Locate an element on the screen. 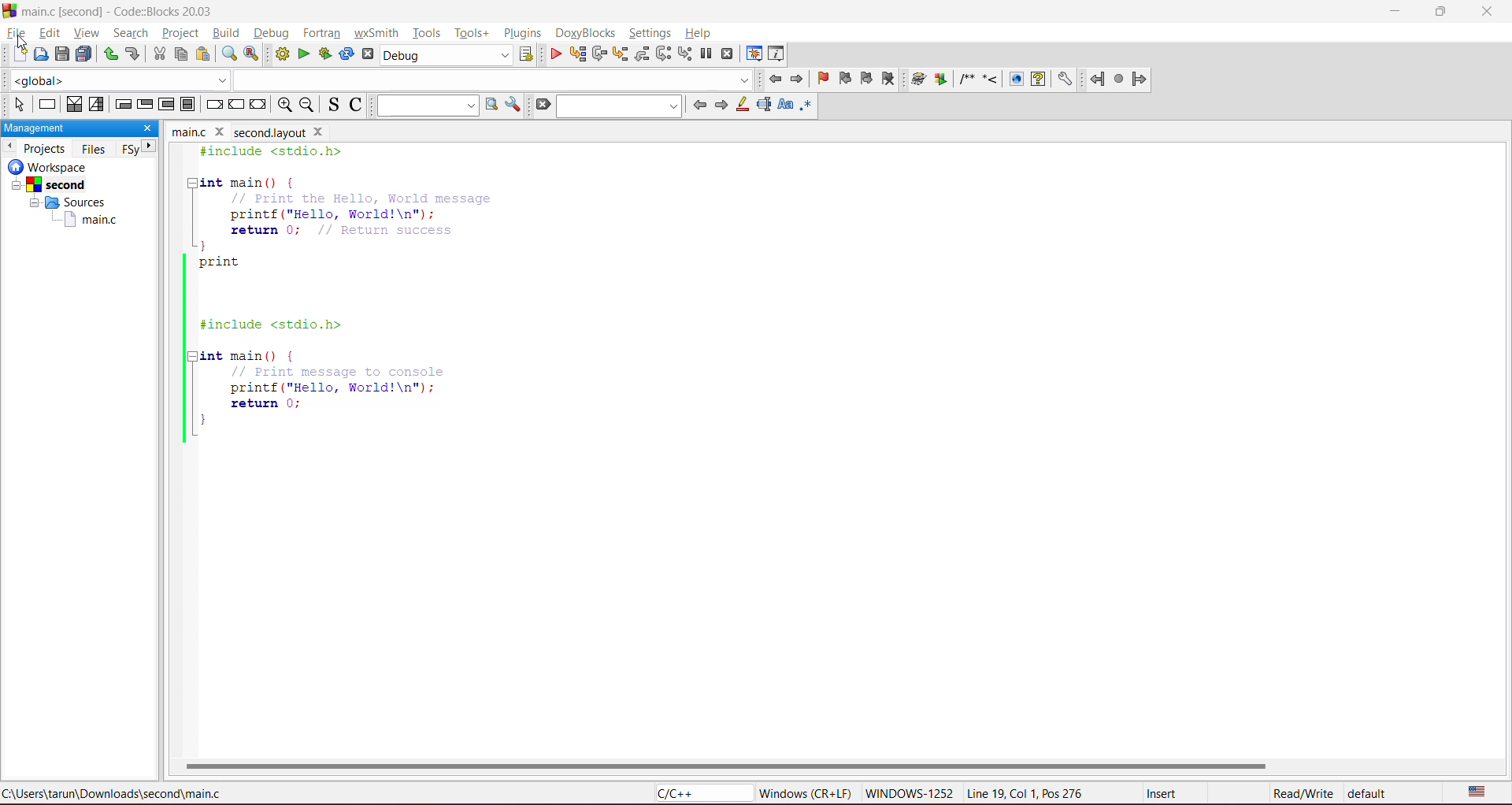 The width and height of the screenshot is (1512, 805). next line  is located at coordinates (601, 56).